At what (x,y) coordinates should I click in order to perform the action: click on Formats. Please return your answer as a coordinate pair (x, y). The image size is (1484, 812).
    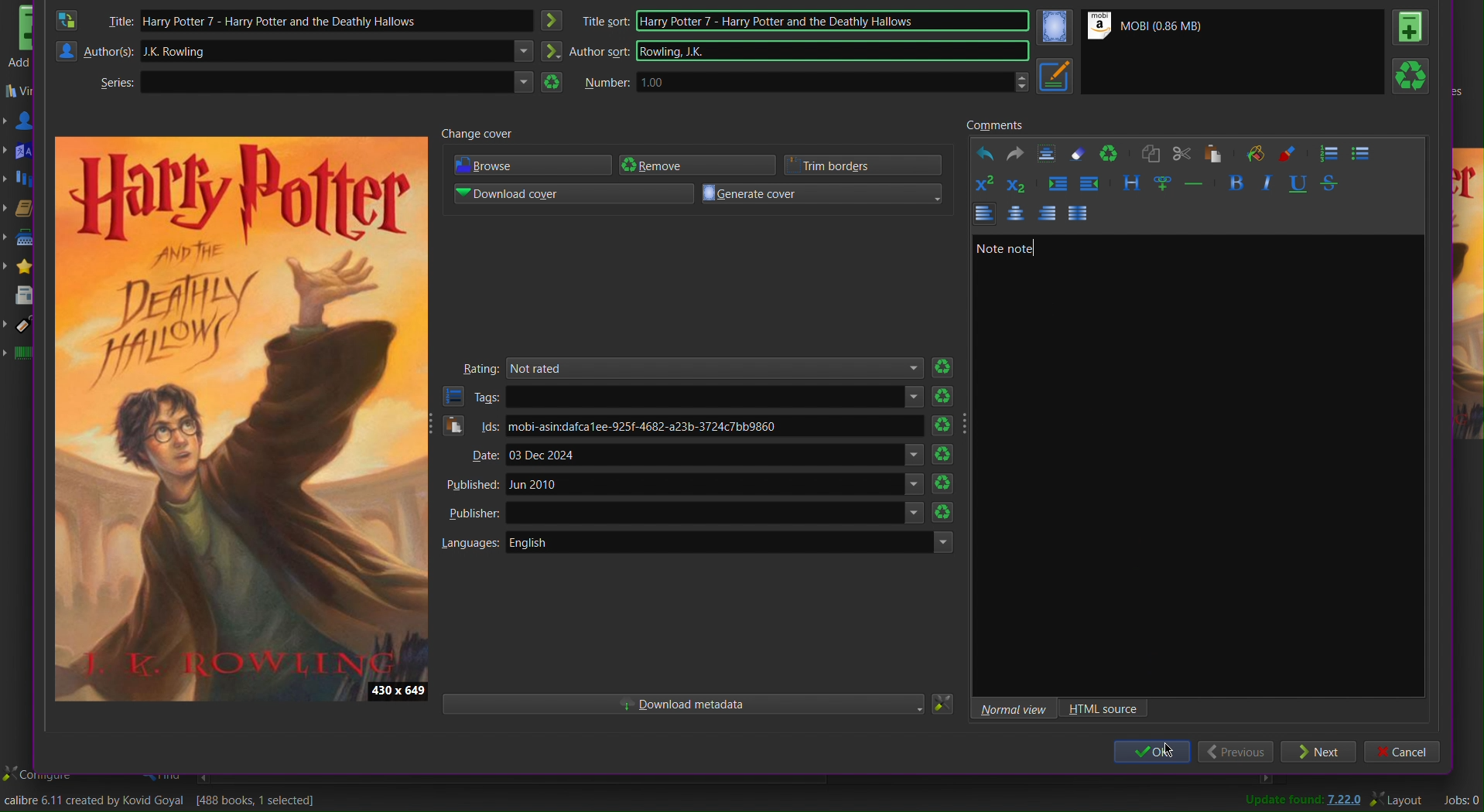
    Looking at the image, I should click on (26, 210).